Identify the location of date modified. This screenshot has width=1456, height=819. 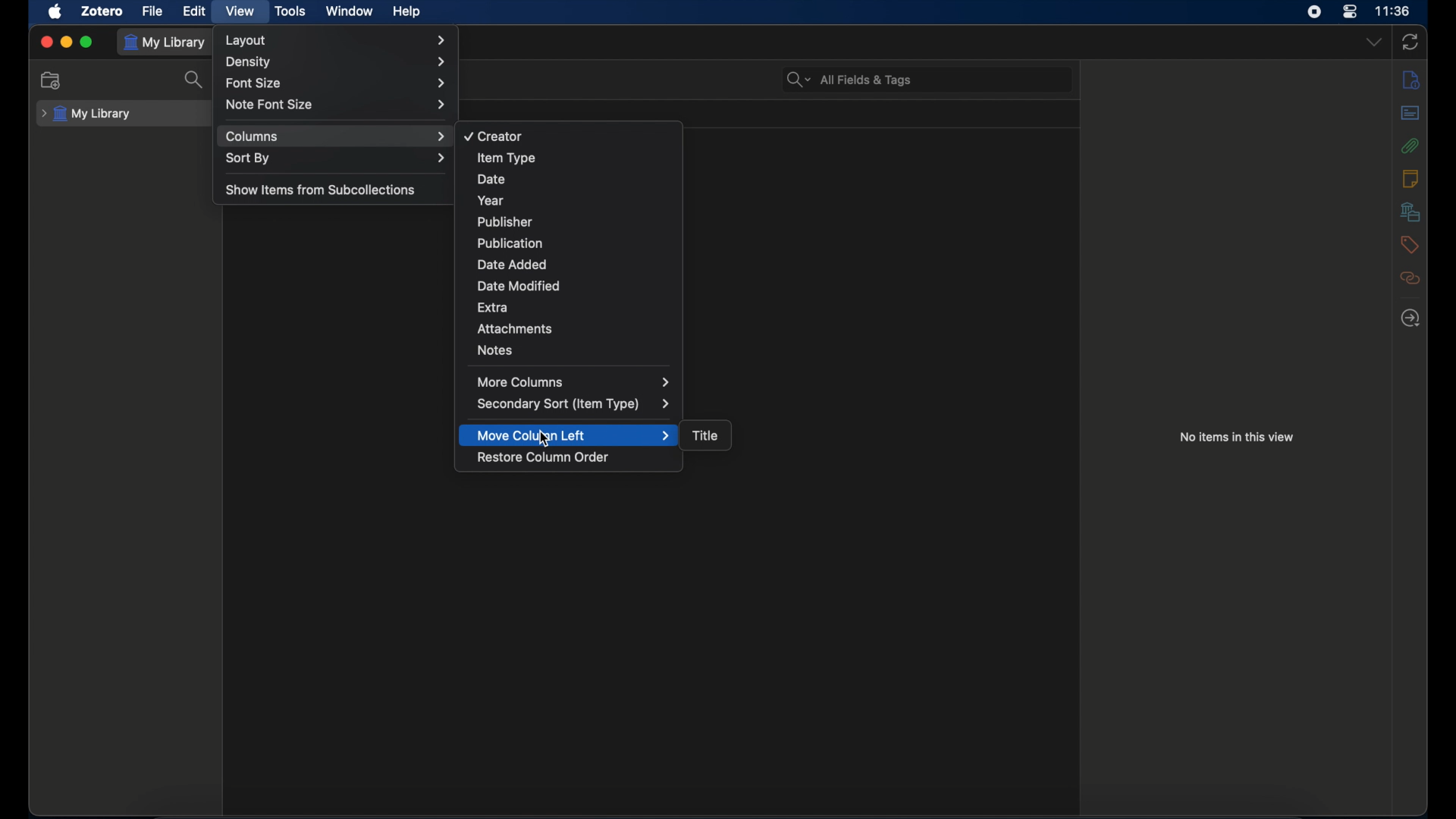
(520, 286).